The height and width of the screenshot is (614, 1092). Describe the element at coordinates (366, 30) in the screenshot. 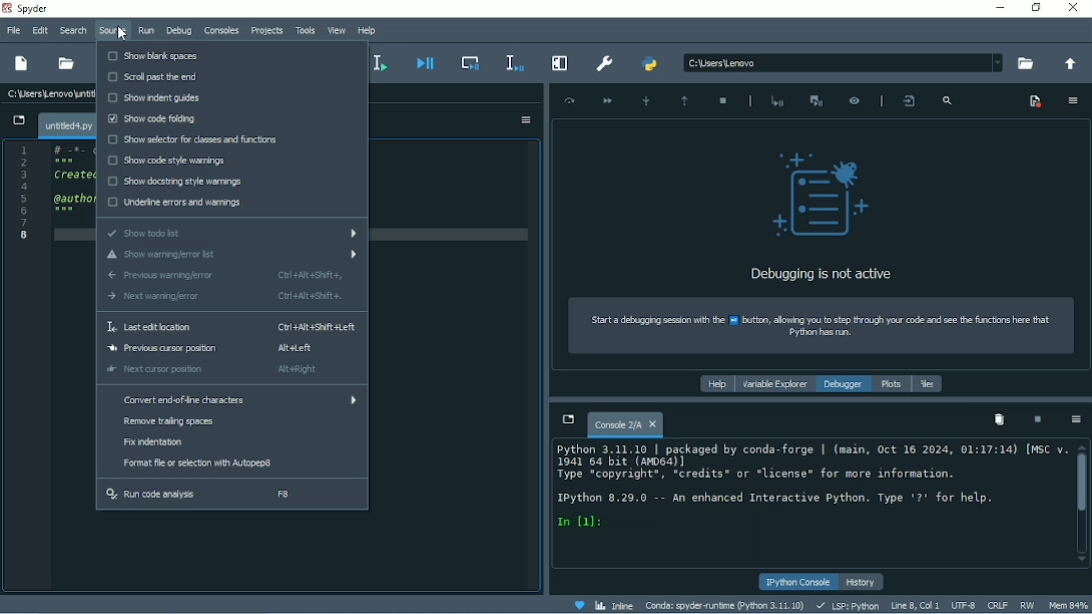

I see `Help` at that location.